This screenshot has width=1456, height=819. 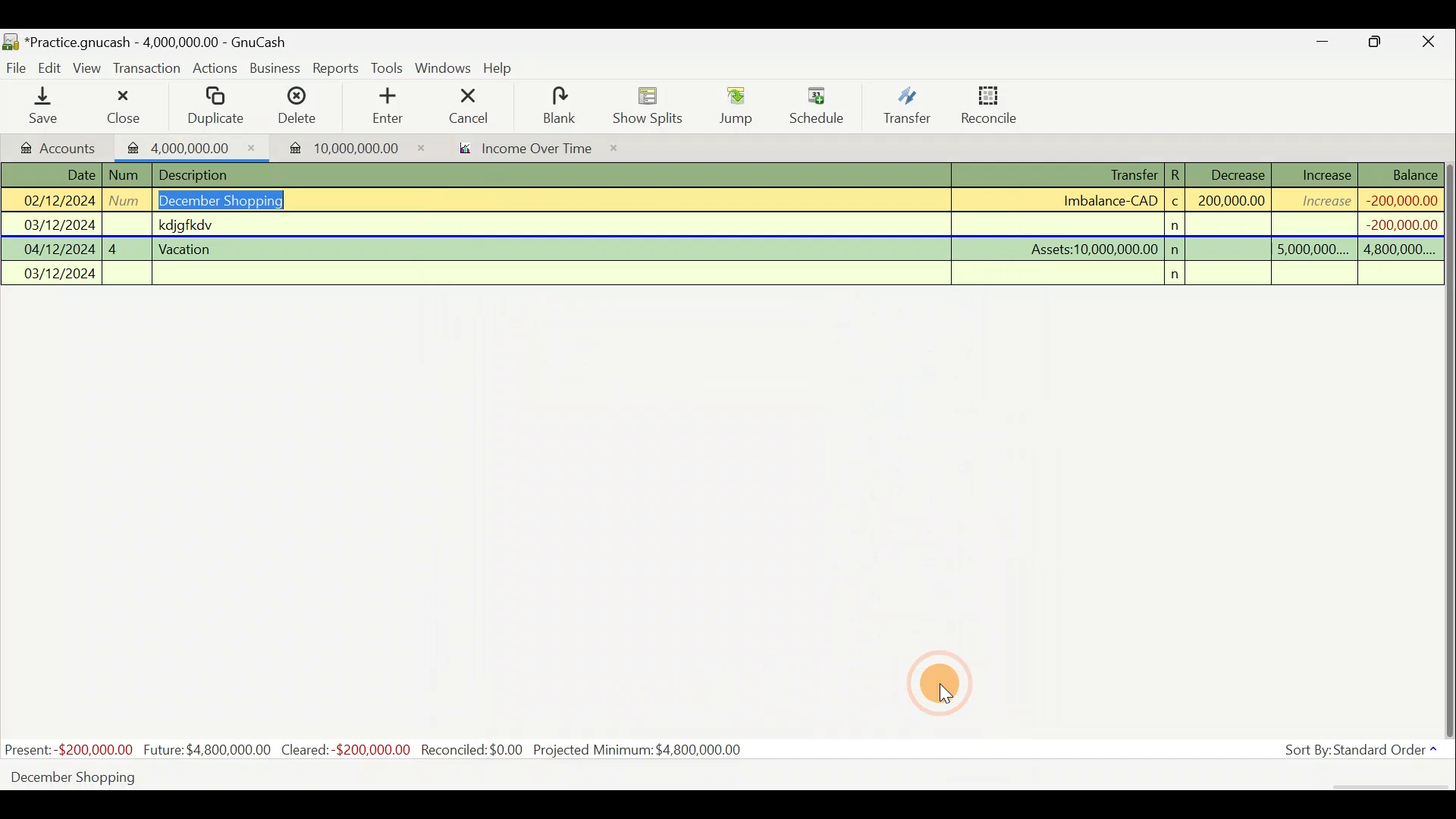 I want to click on Tools, so click(x=389, y=68).